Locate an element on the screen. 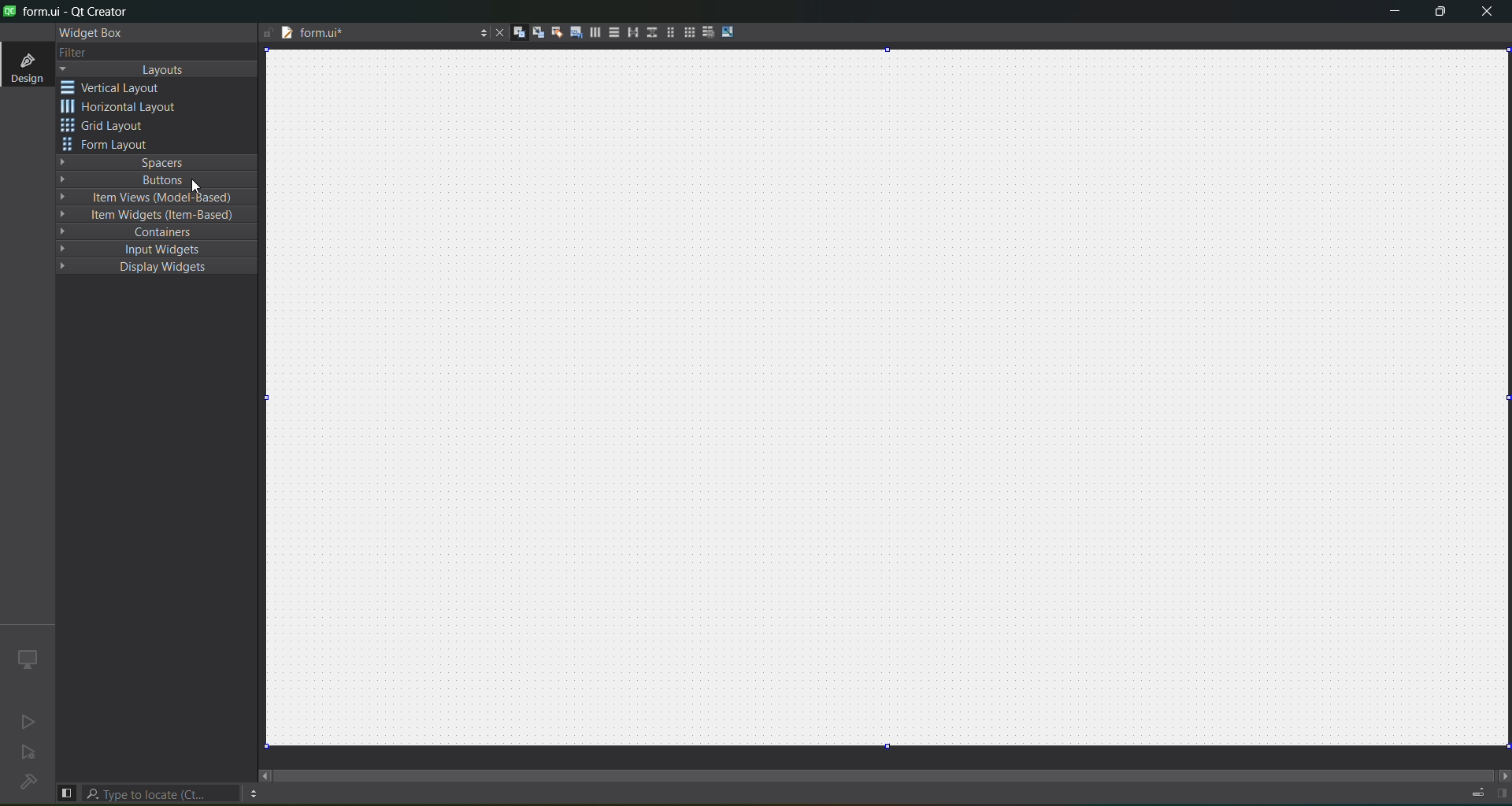 This screenshot has height=806, width=1512. break layout is located at coordinates (708, 31).